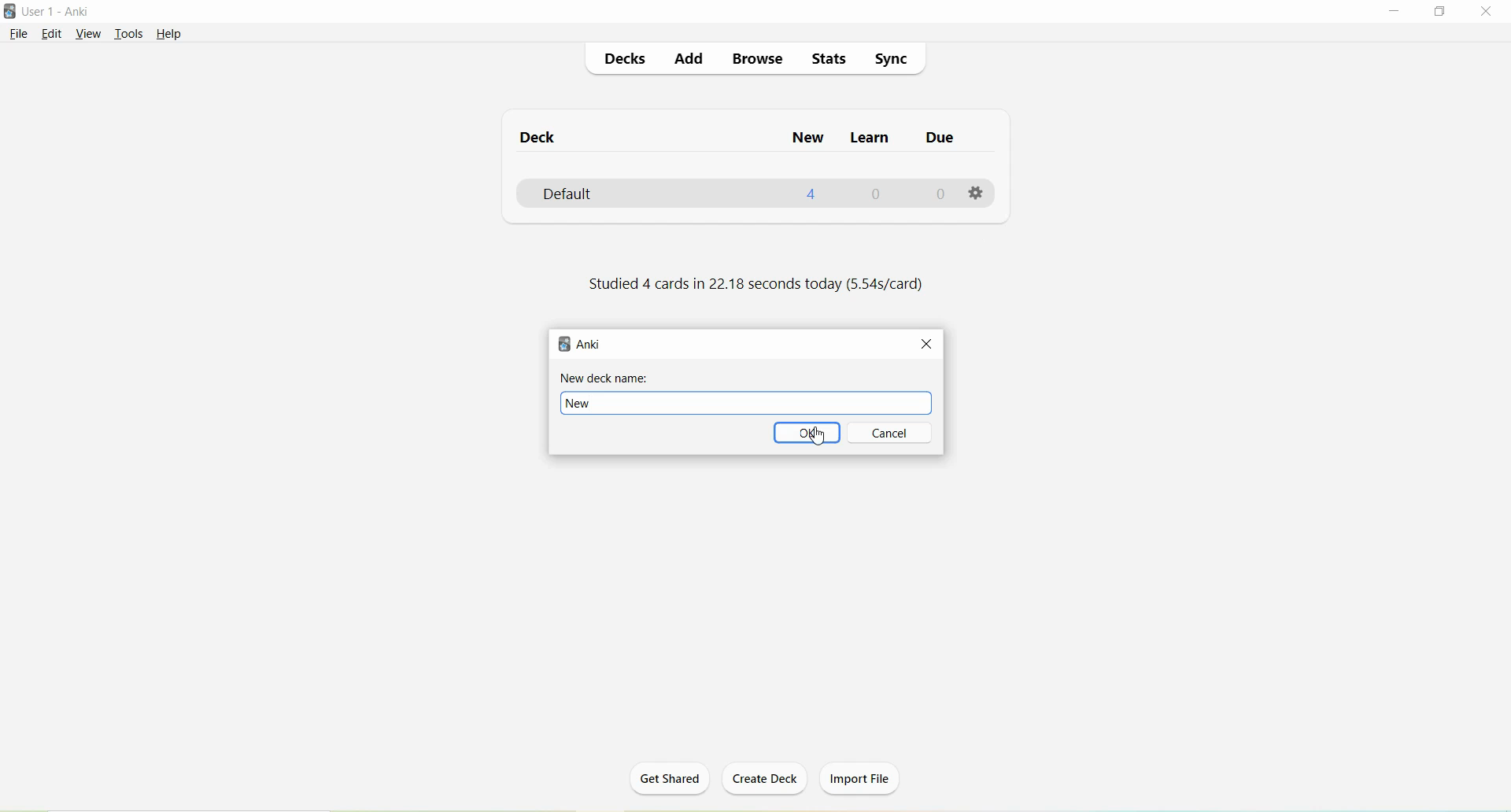 The width and height of the screenshot is (1511, 812). What do you see at coordinates (57, 11) in the screenshot?
I see `User 1 - Anki` at bounding box center [57, 11].